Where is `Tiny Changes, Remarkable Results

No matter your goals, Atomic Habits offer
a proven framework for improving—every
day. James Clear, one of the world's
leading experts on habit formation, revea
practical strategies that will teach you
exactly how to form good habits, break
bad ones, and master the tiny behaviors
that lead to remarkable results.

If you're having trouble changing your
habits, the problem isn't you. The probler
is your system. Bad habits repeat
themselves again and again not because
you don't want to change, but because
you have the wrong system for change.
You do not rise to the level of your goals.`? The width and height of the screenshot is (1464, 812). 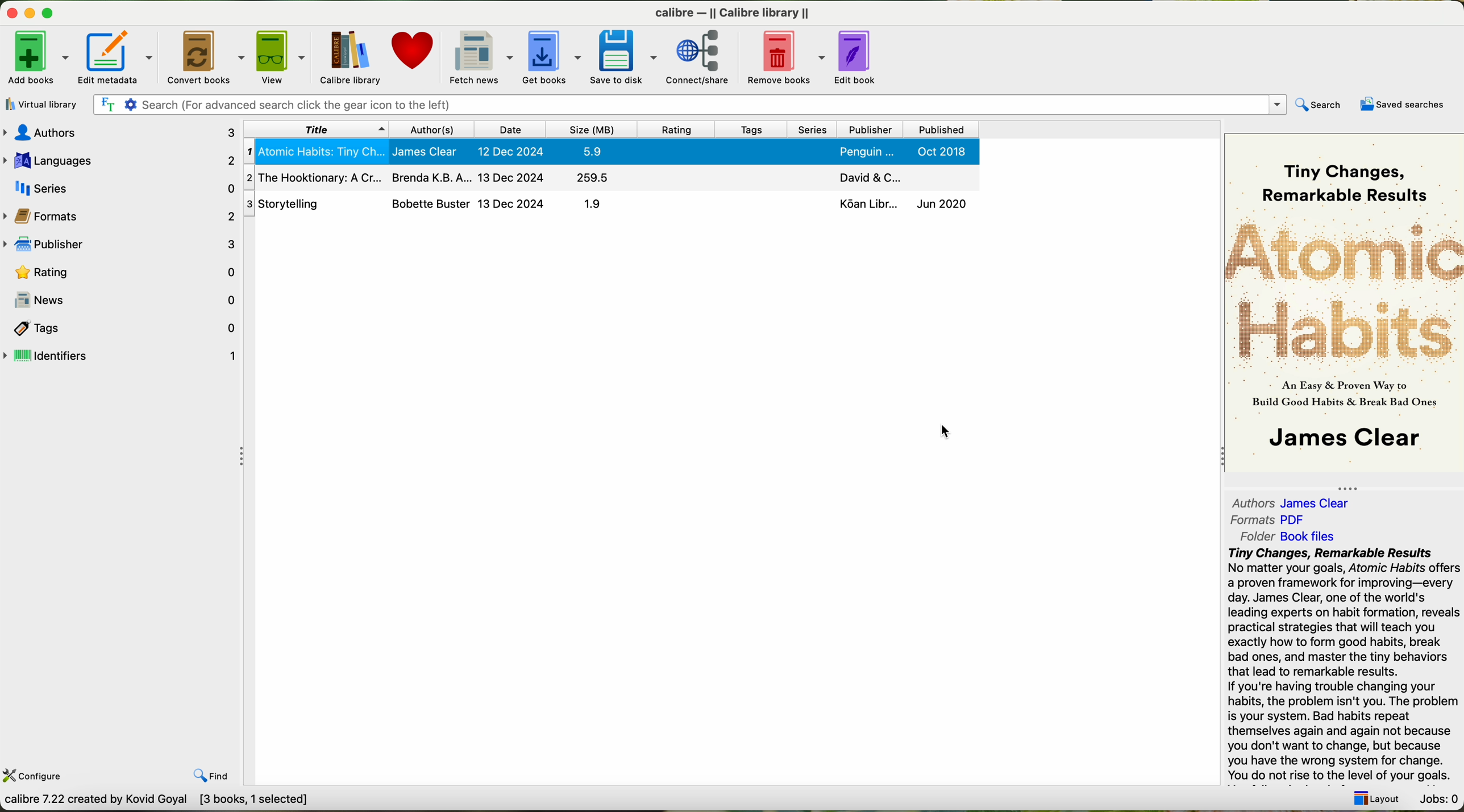
Tiny Changes, Remarkable Results

No matter your goals, Atomic Habits offer
a proven framework for improving—every
day. James Clear, one of the world's
leading experts on habit formation, revea
practical strategies that will teach you
exactly how to form good habits, break
bad ones, and master the tiny behaviors
that lead to remarkable results.

If you're having trouble changing your
habits, the problem isn't you. The probler
is your system. Bad habits repeat
themselves again and again not because
you don't want to change, but because
you have the wrong system for change.
You do not rise to the level of your goals. is located at coordinates (1342, 665).